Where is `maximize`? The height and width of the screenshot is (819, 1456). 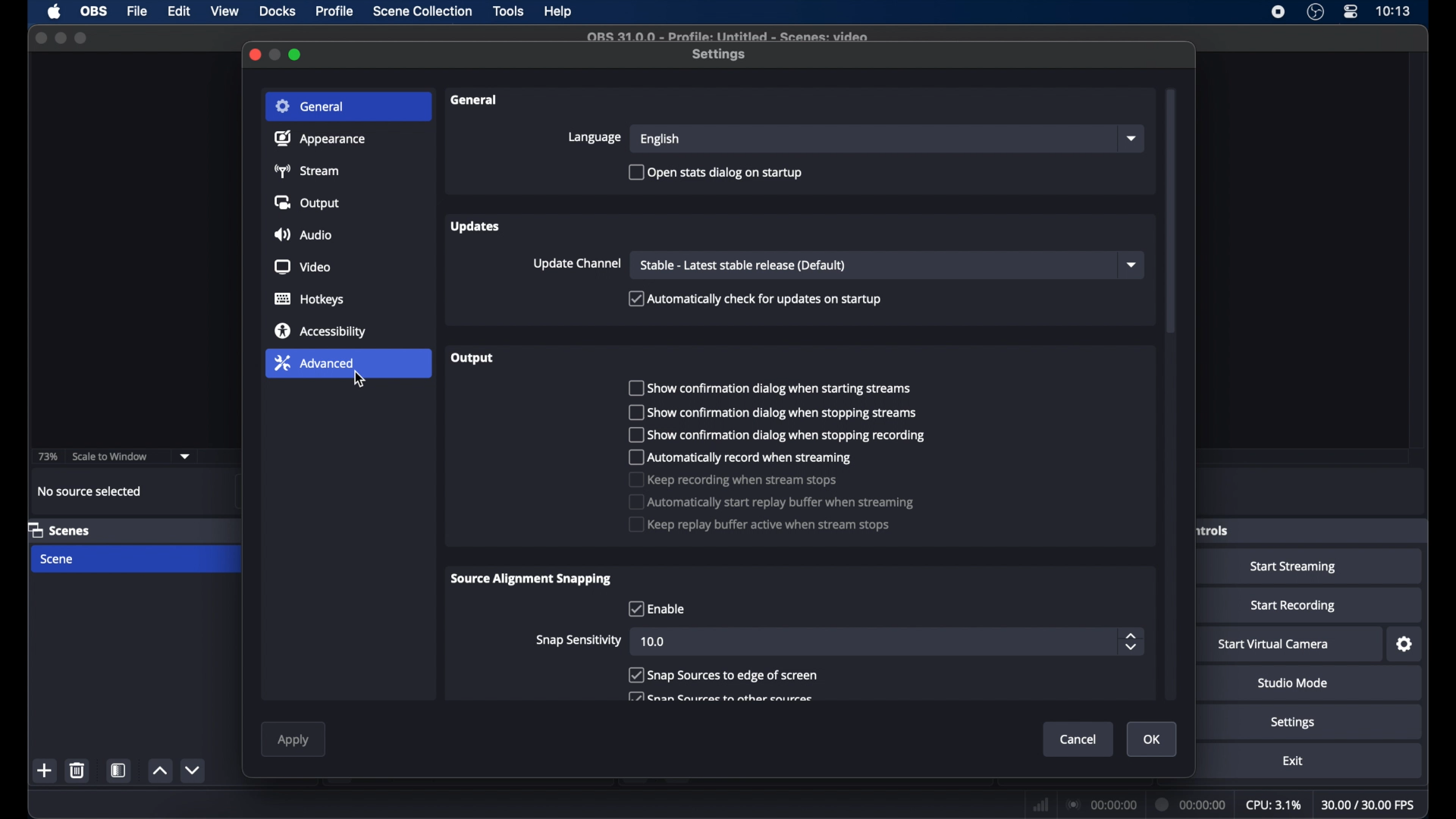 maximize is located at coordinates (83, 38).